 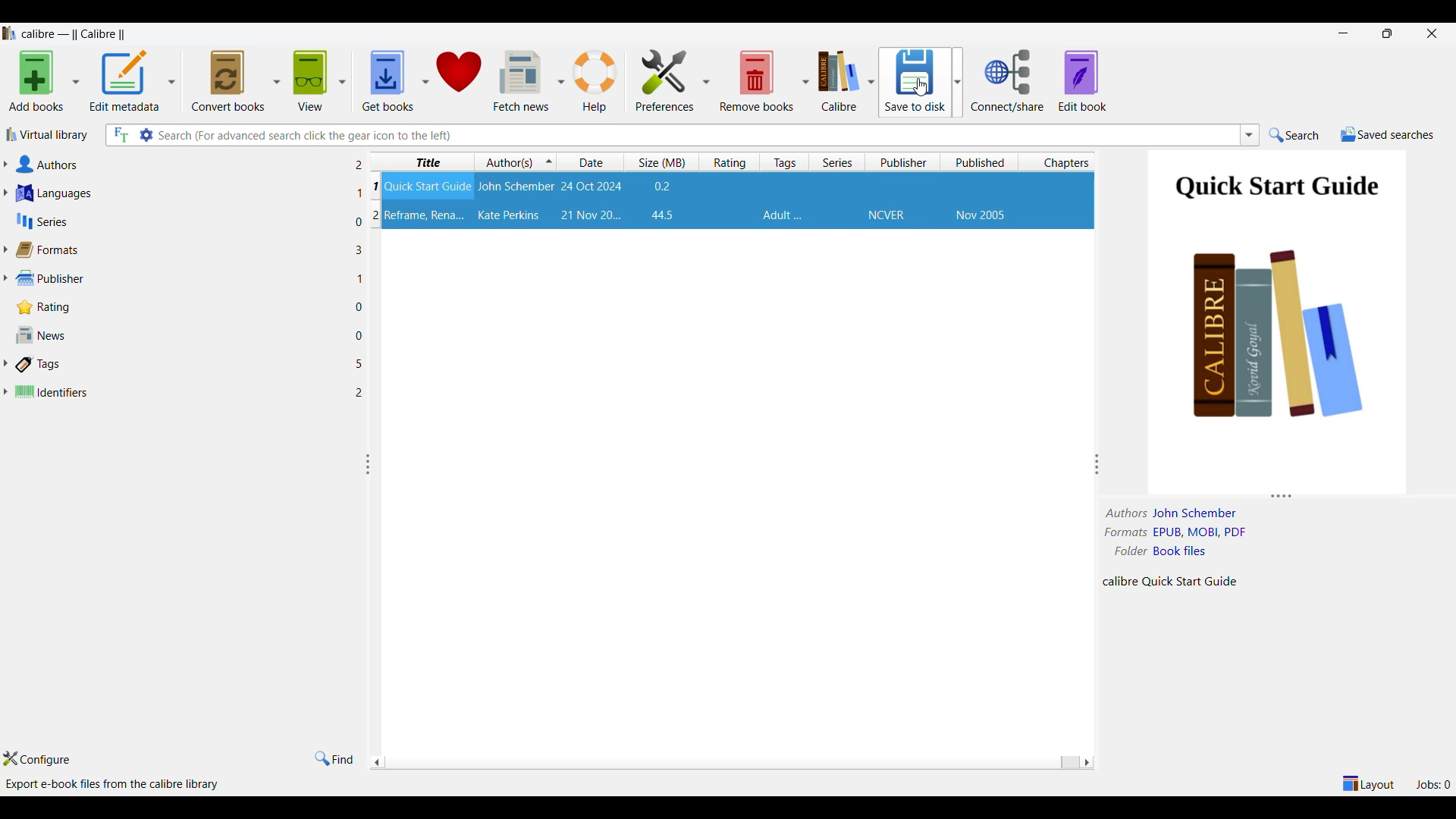 What do you see at coordinates (1181, 548) in the screenshot?
I see `Book details` at bounding box center [1181, 548].